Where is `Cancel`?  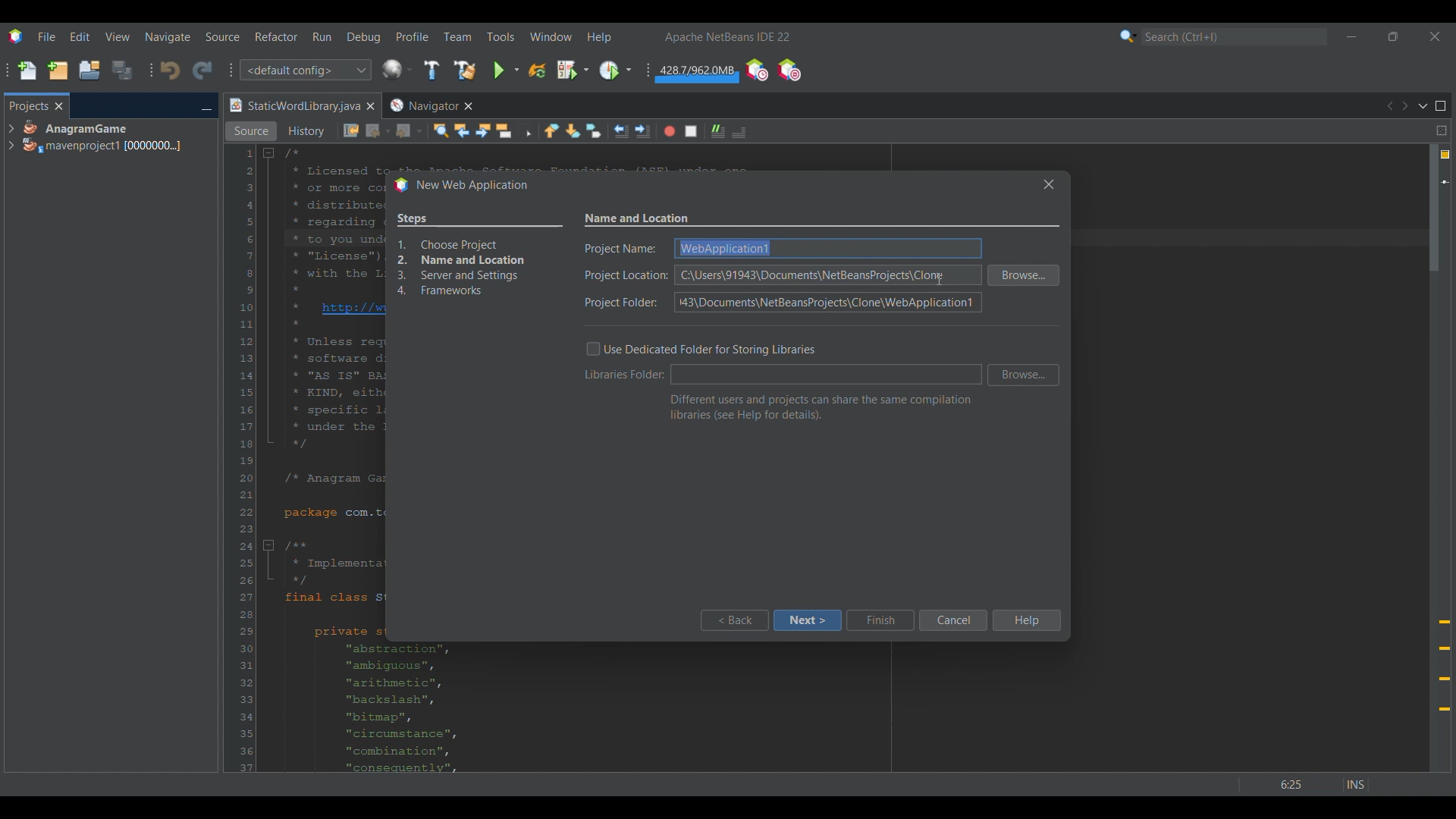
Cancel is located at coordinates (952, 620).